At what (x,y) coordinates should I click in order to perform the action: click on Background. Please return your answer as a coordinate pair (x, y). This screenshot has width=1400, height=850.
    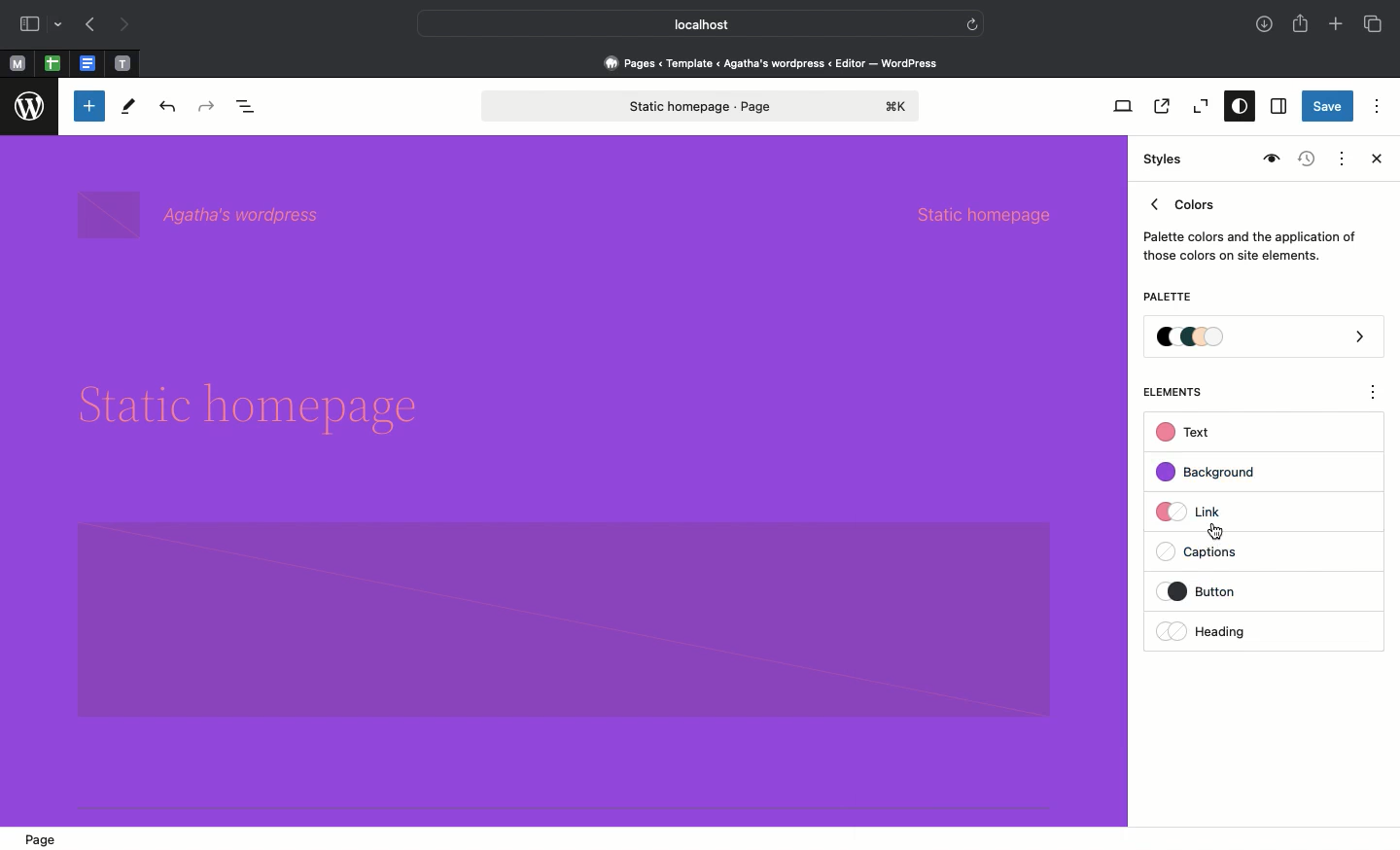
    Looking at the image, I should click on (1215, 473).